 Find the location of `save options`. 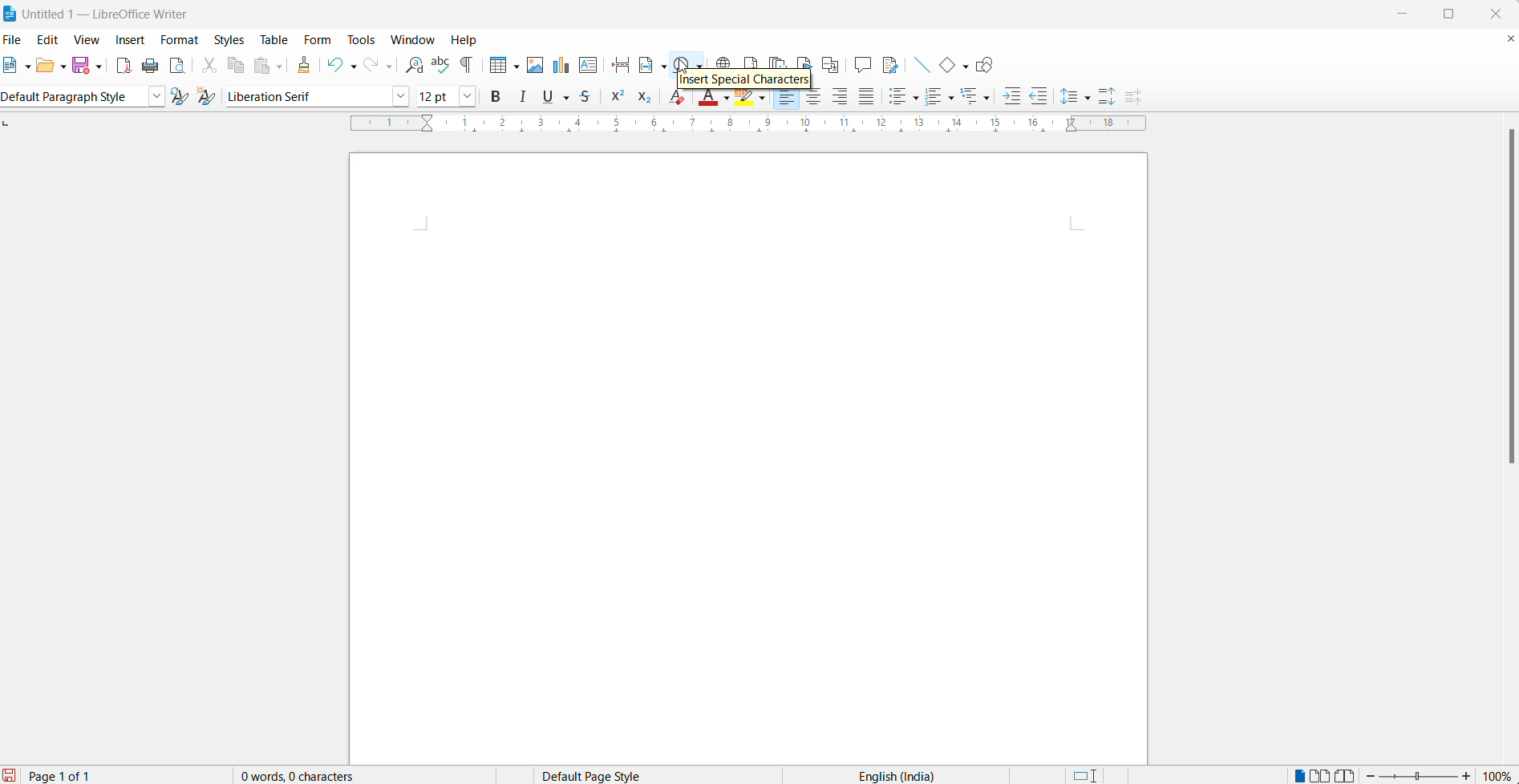

save options is located at coordinates (99, 65).